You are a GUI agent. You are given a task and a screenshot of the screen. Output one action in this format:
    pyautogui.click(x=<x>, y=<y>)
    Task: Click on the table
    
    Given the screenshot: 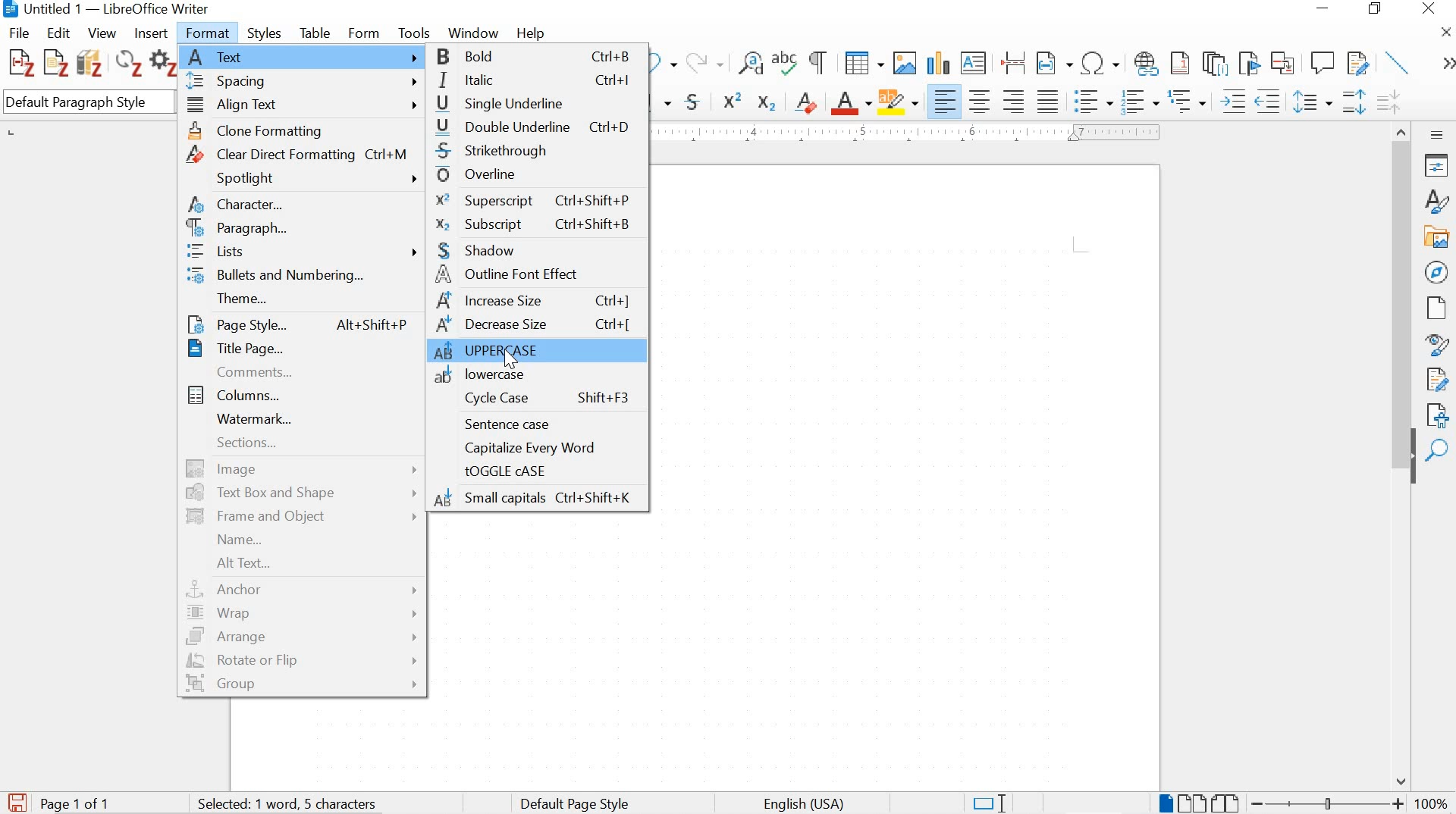 What is the action you would take?
    pyautogui.click(x=315, y=31)
    